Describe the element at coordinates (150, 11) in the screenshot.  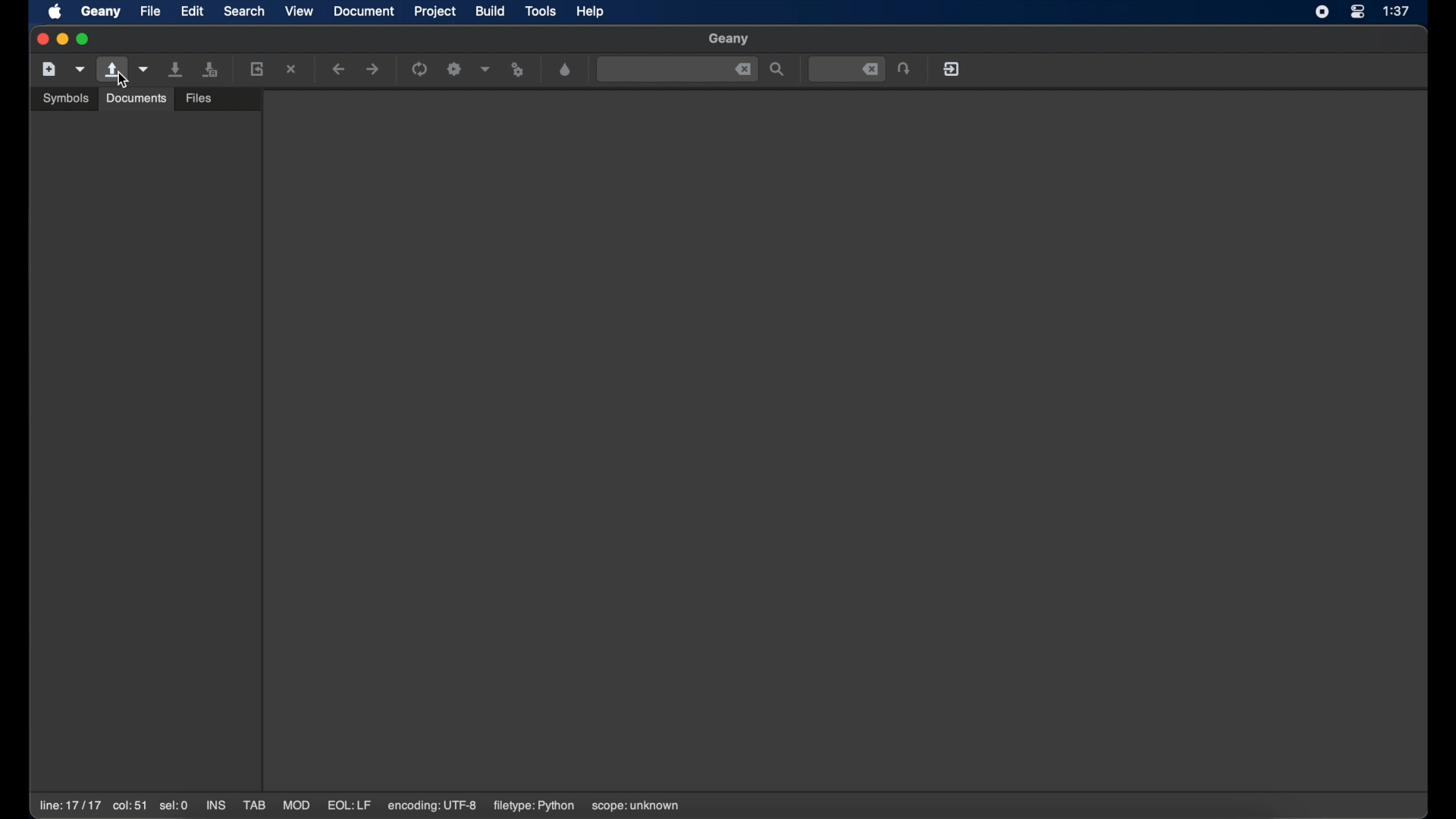
I see `file` at that location.